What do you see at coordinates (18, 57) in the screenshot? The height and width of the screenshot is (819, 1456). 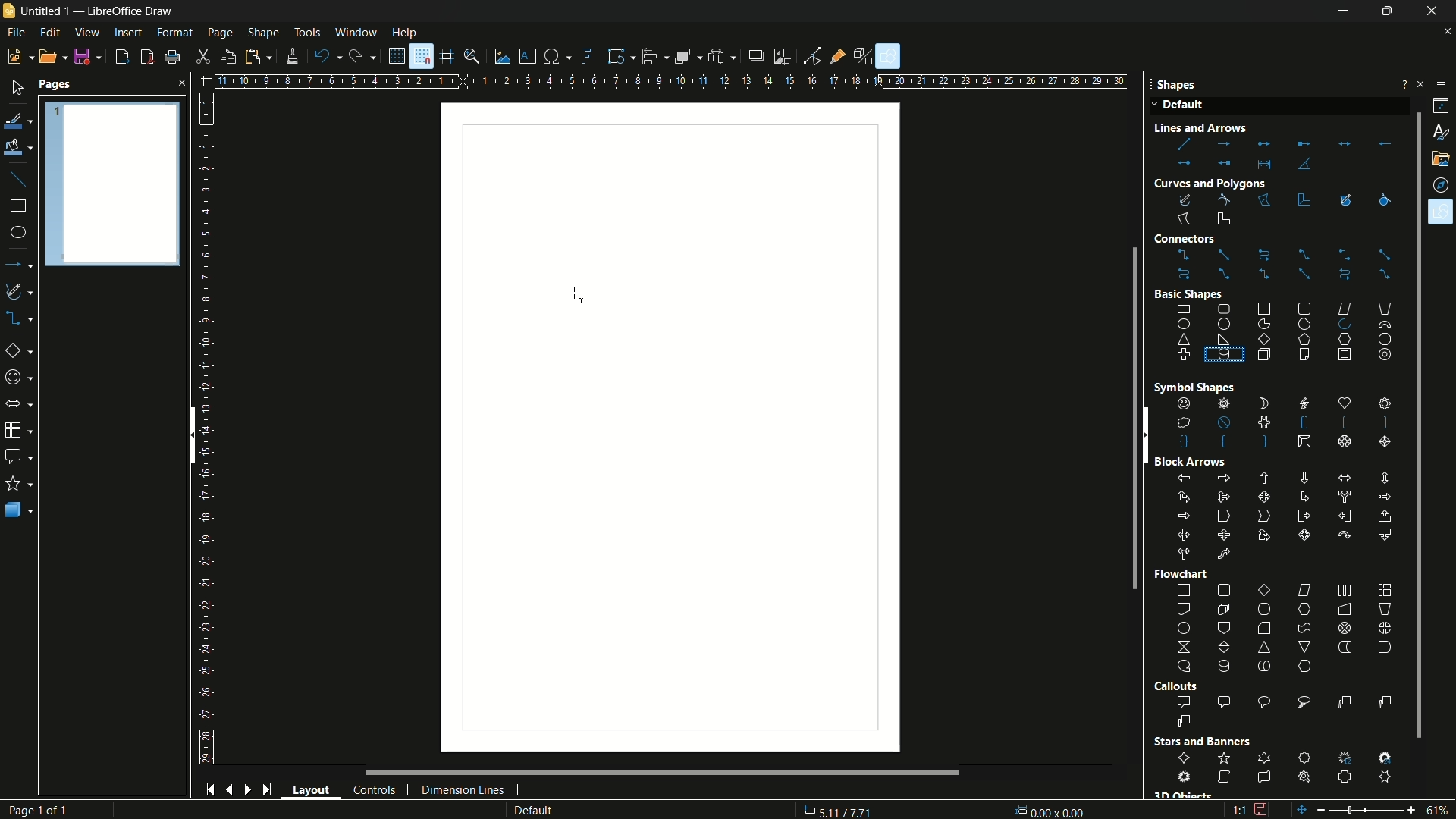 I see `new file` at bounding box center [18, 57].